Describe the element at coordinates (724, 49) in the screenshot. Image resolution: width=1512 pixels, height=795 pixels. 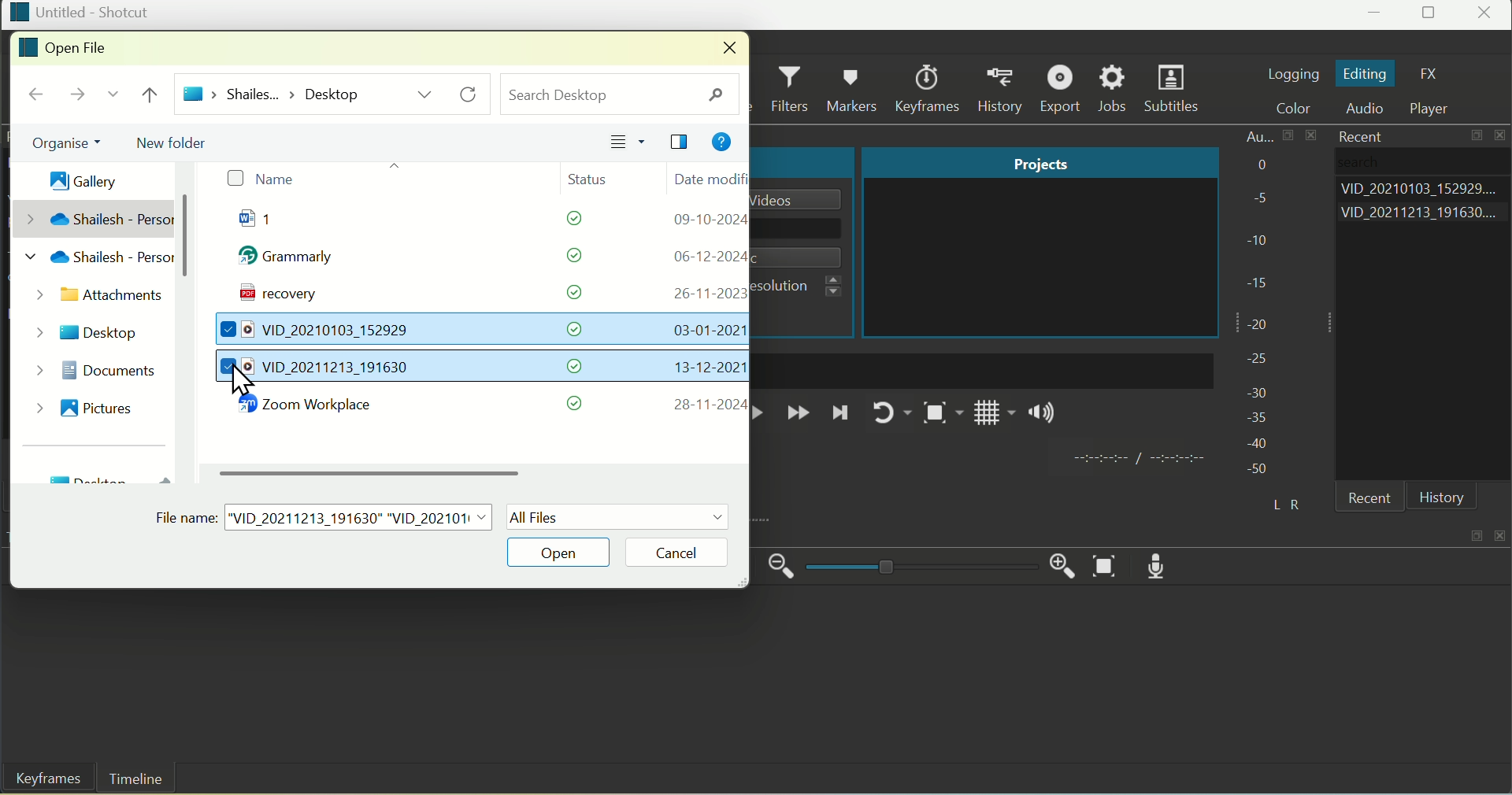
I see `close` at that location.